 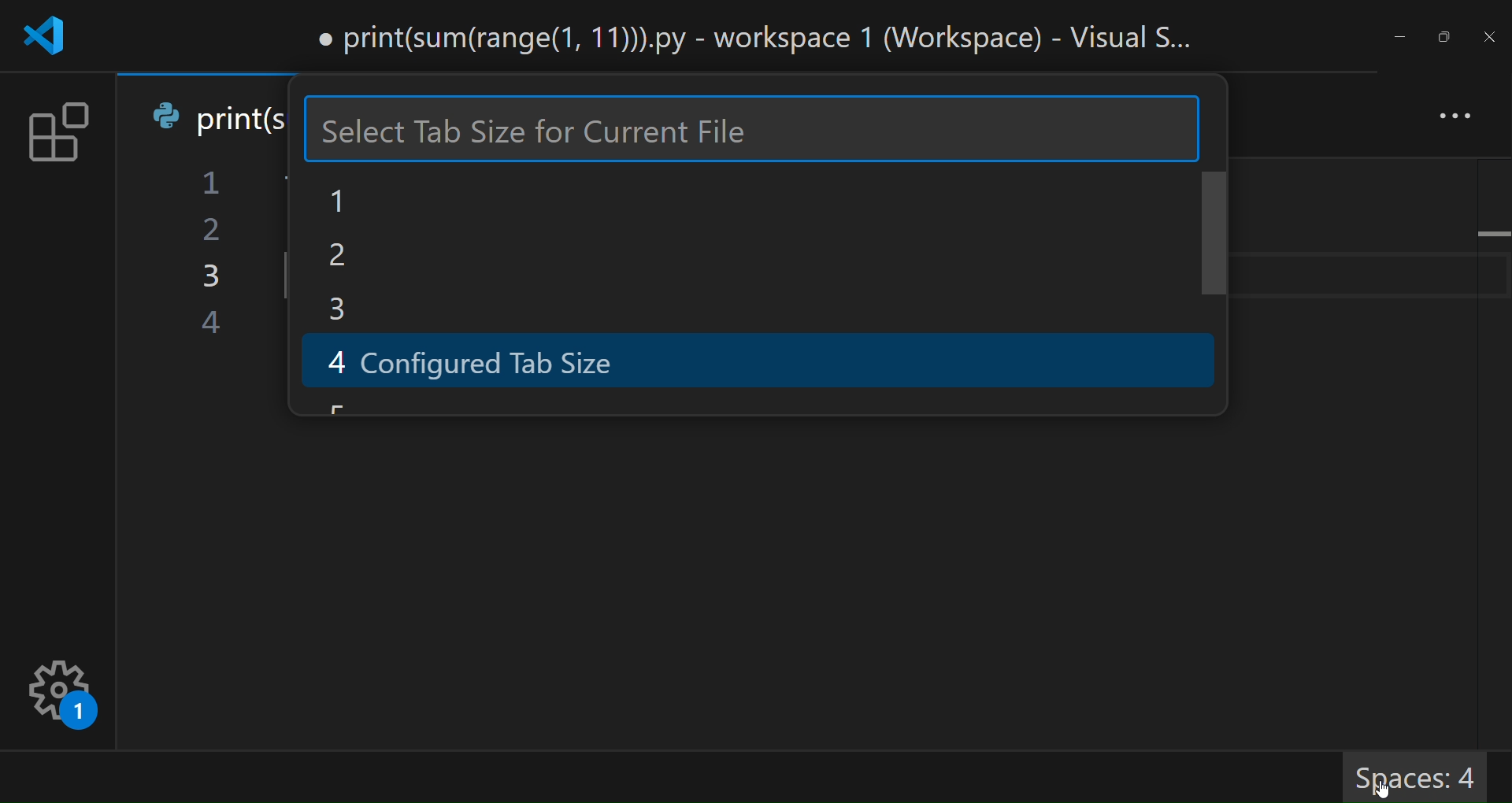 What do you see at coordinates (1491, 413) in the screenshot?
I see `scroll bar` at bounding box center [1491, 413].